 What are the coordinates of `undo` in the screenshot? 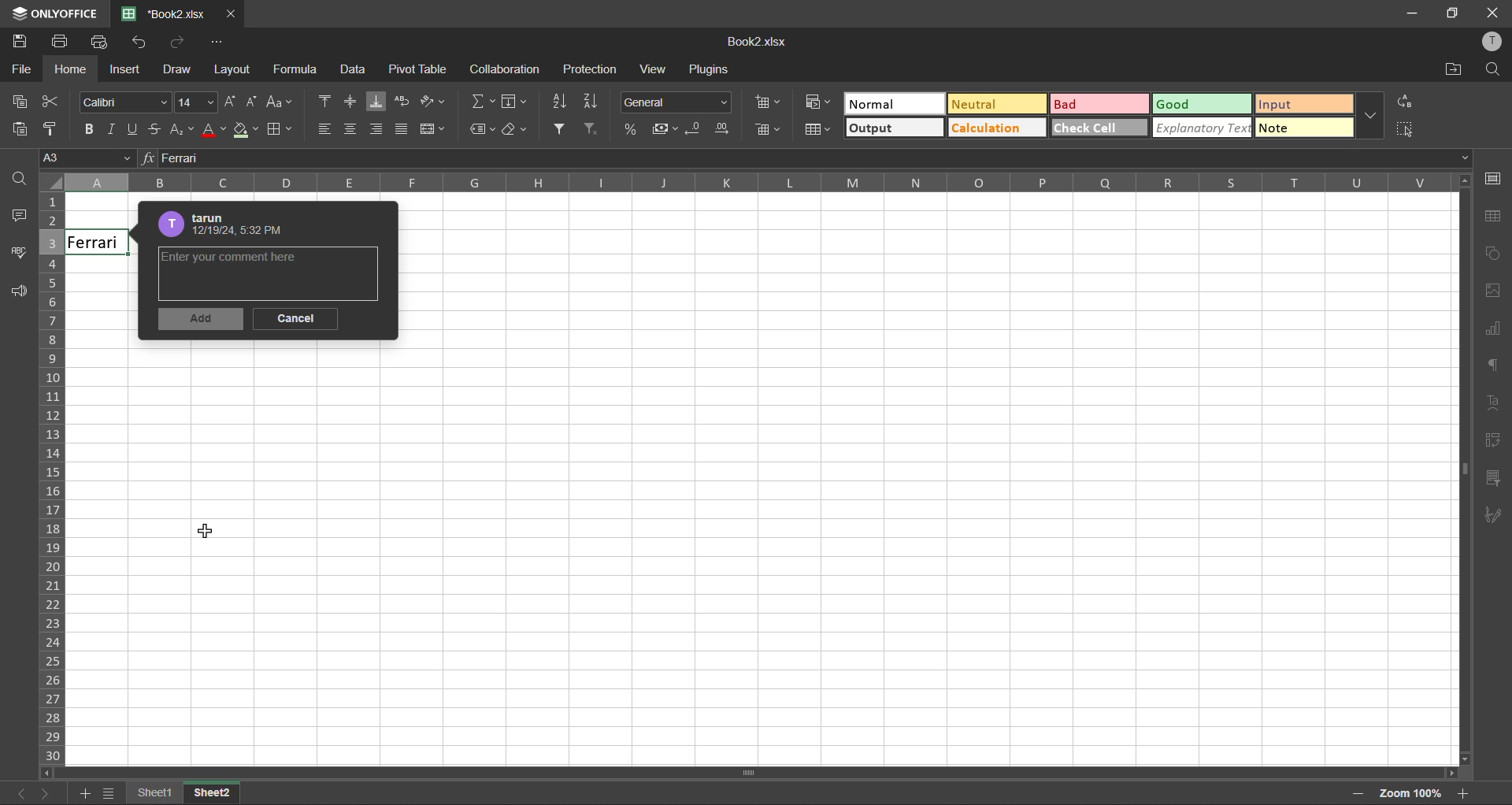 It's located at (139, 41).